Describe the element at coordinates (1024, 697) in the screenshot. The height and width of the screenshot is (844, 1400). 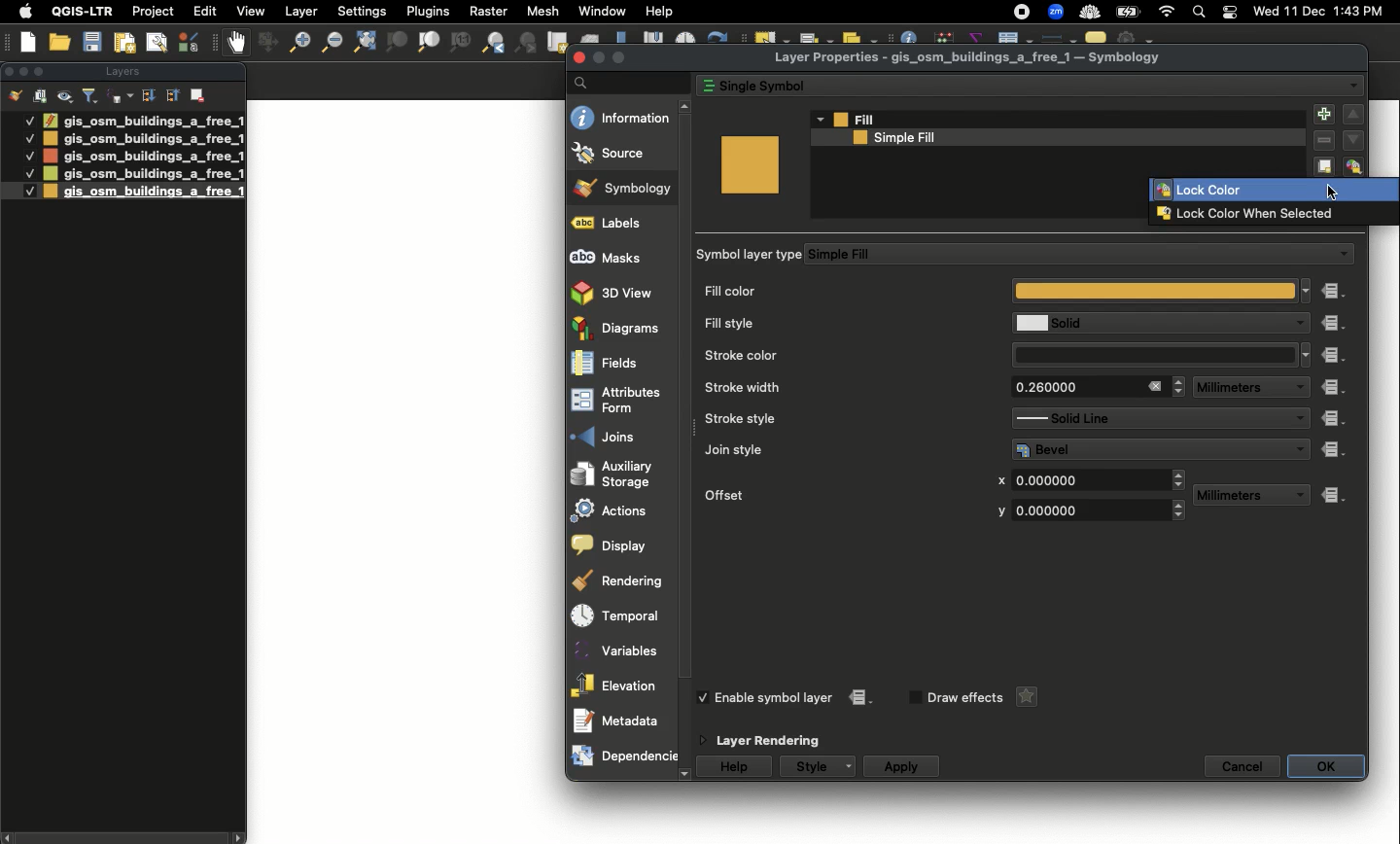
I see `Star` at that location.